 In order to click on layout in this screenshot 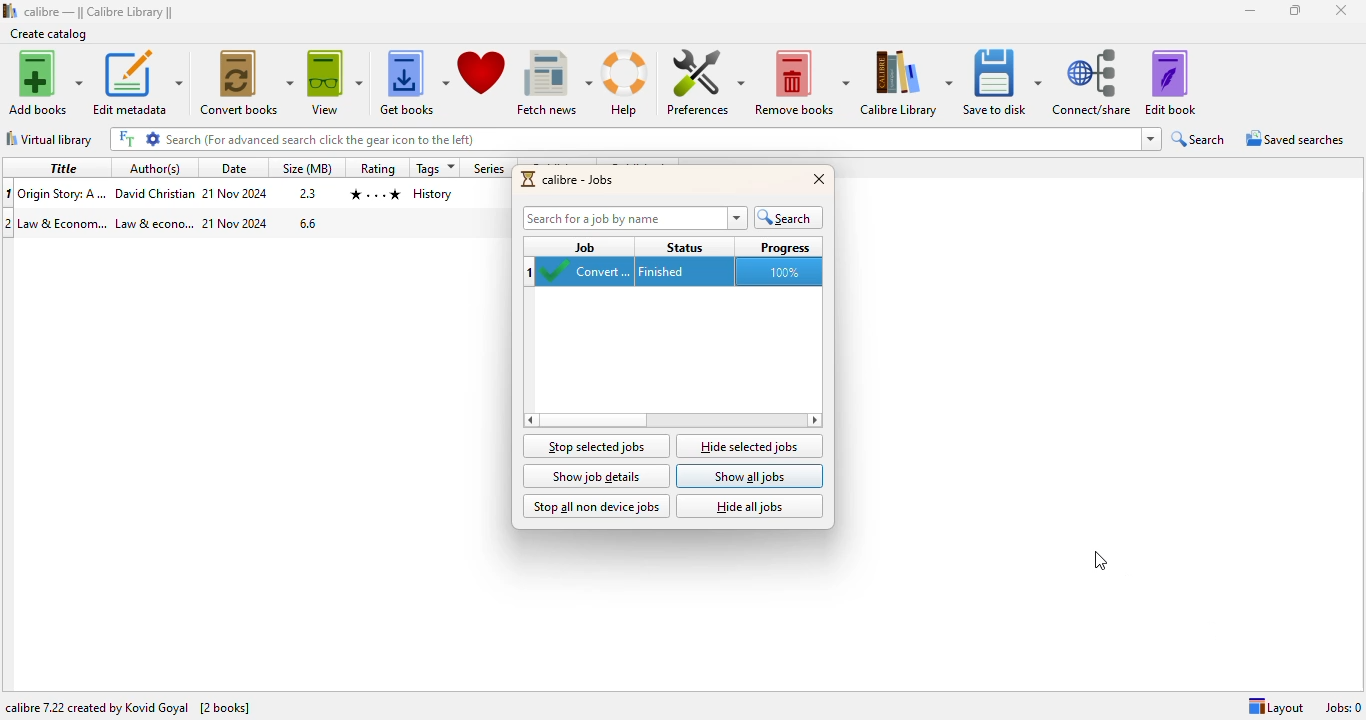, I will do `click(1275, 707)`.